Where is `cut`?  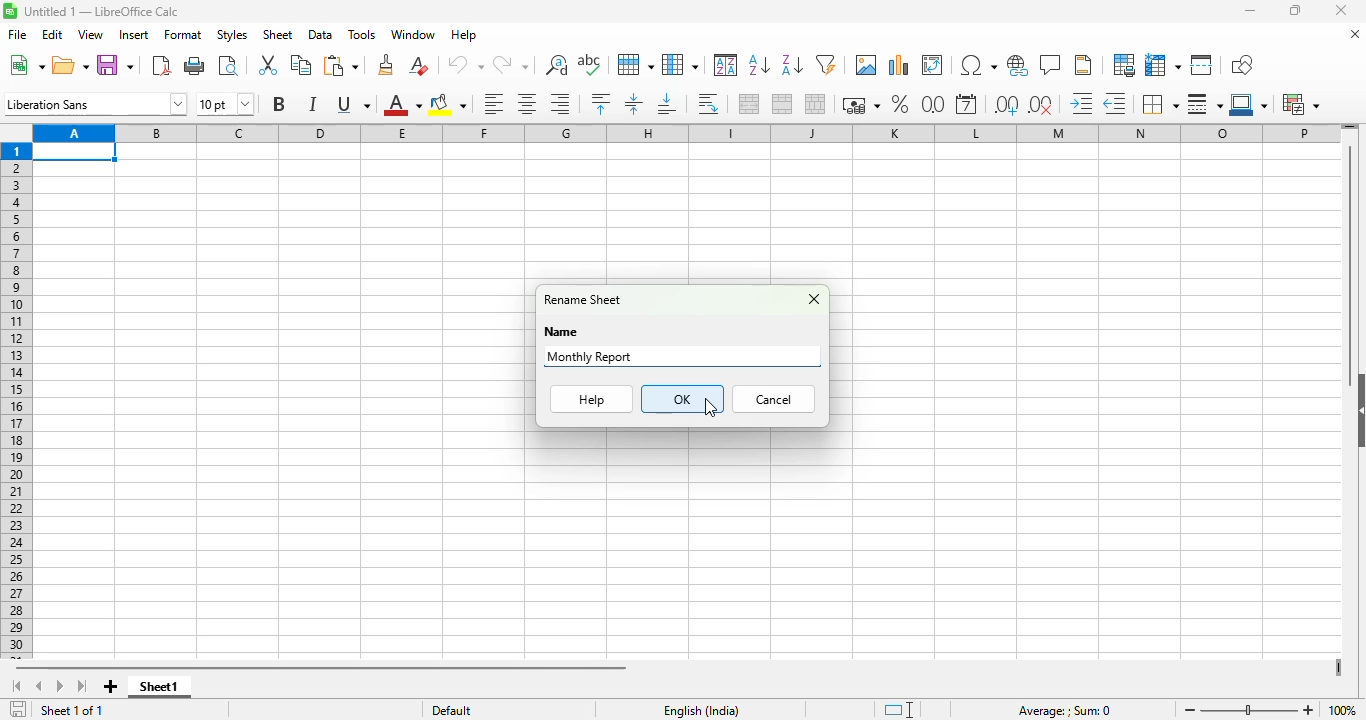
cut is located at coordinates (266, 65).